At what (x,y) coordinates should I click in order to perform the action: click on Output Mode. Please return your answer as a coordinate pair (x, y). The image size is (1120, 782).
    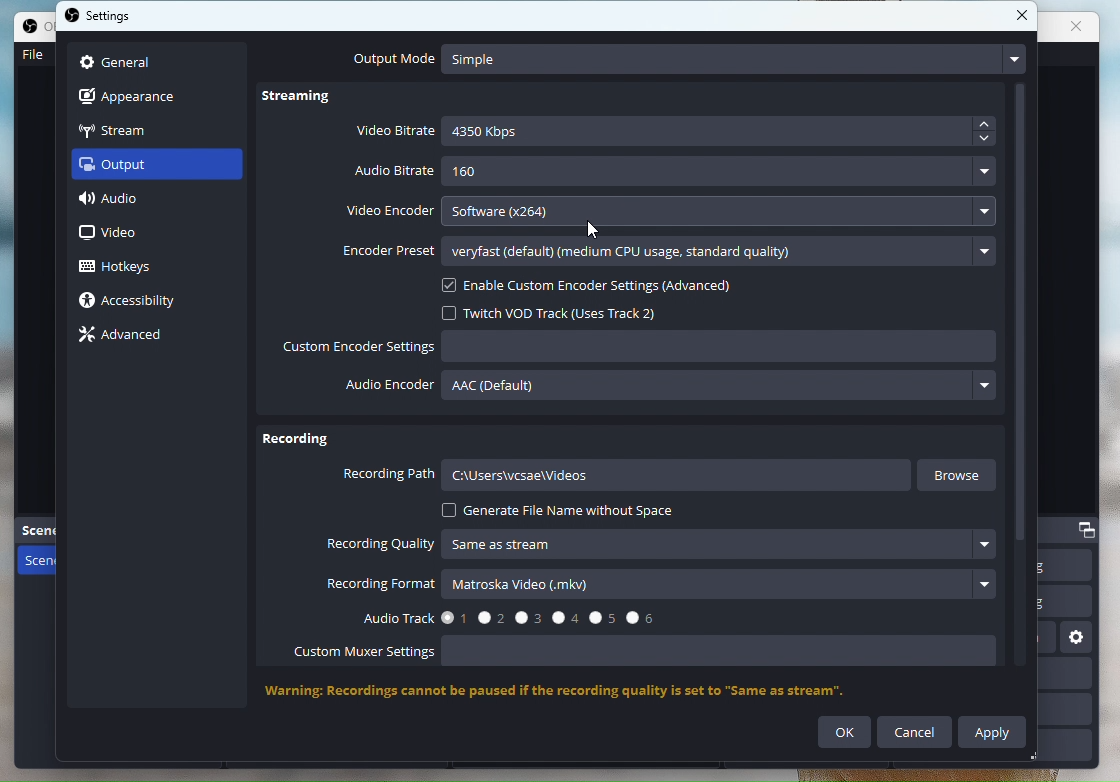
    Looking at the image, I should click on (685, 59).